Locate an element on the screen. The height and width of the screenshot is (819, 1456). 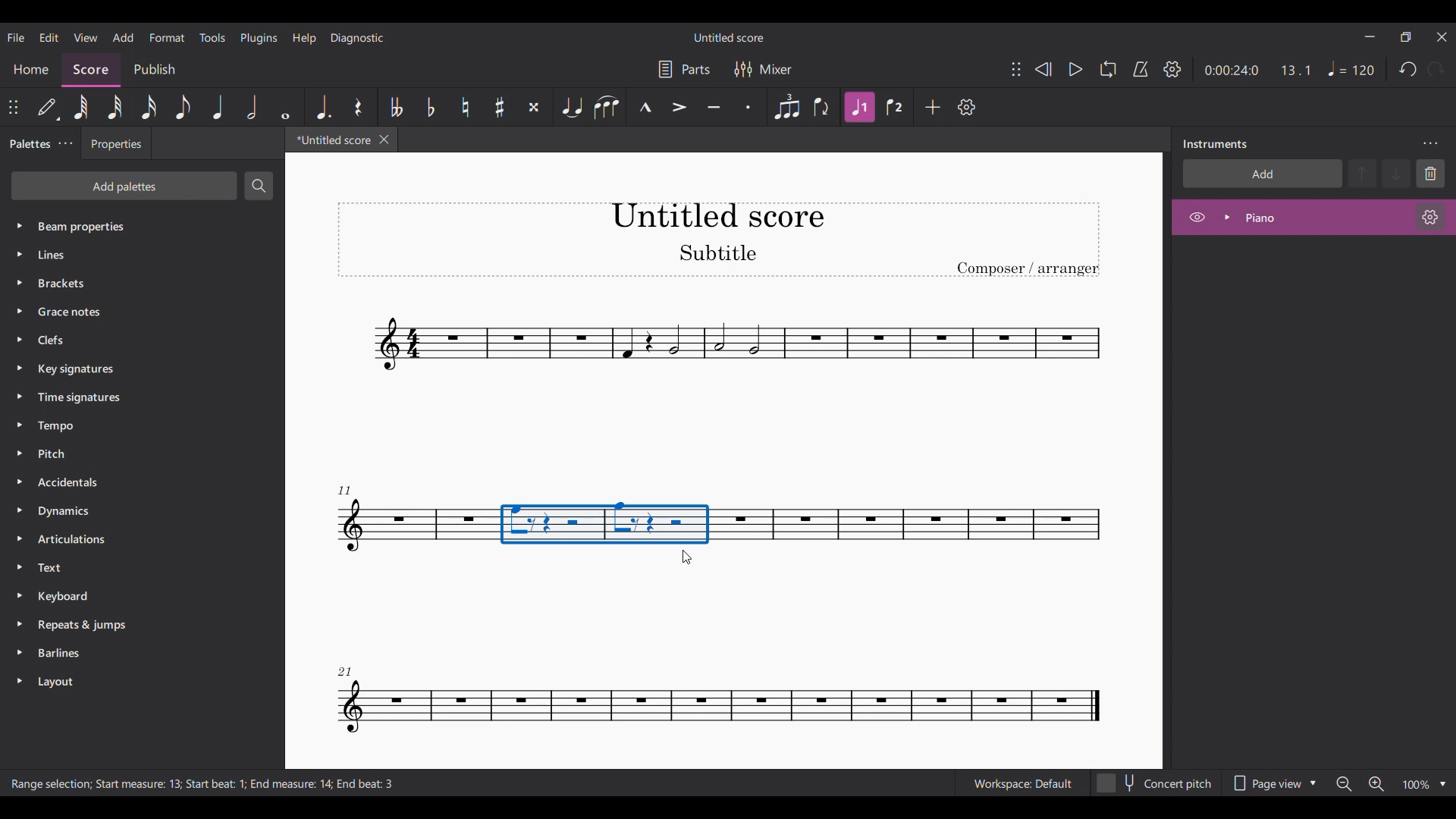
Brackets is located at coordinates (136, 280).